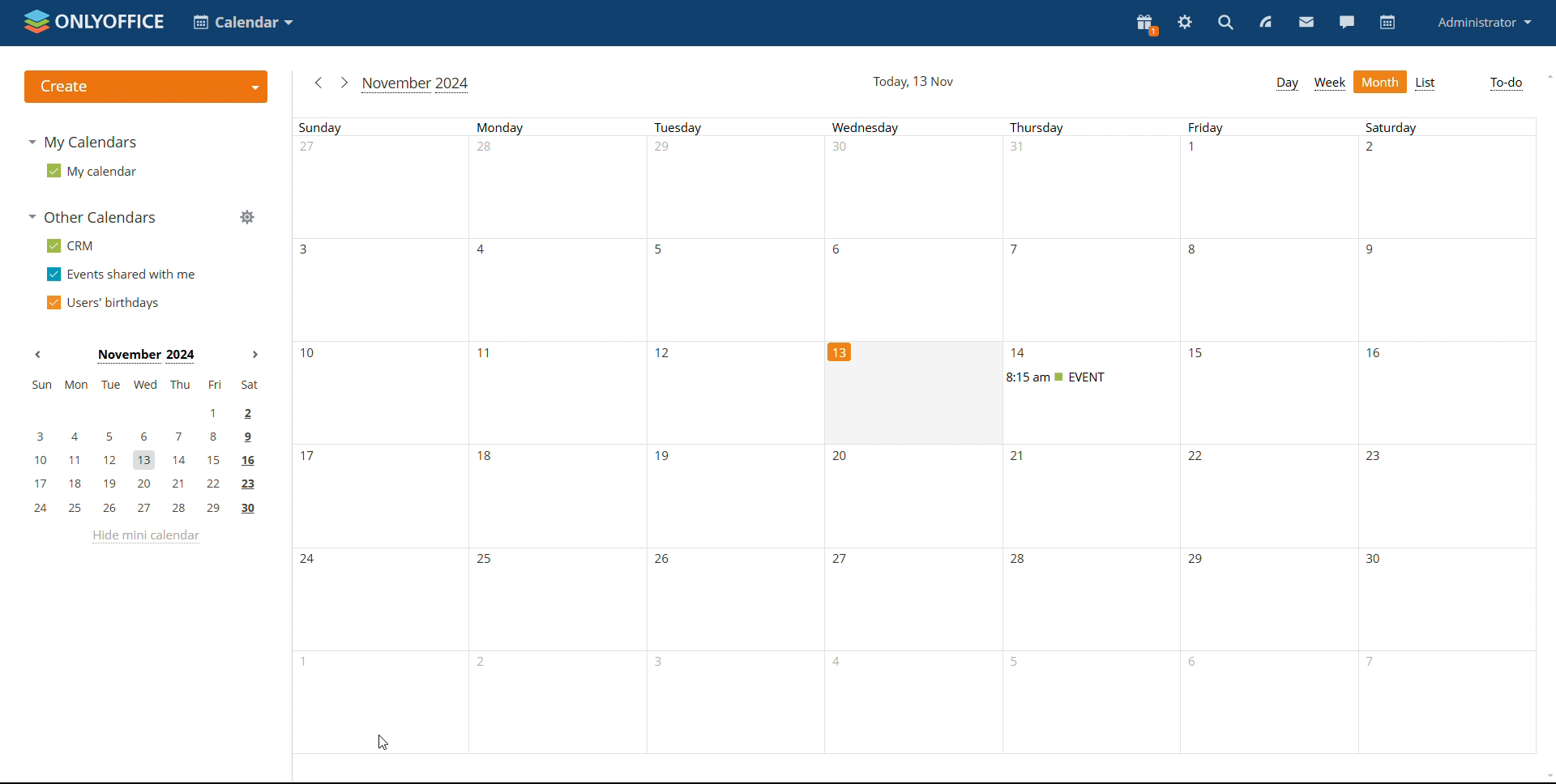  What do you see at coordinates (139, 436) in the screenshot?
I see `3, 4, 5, 6, 7, 8, 9` at bounding box center [139, 436].